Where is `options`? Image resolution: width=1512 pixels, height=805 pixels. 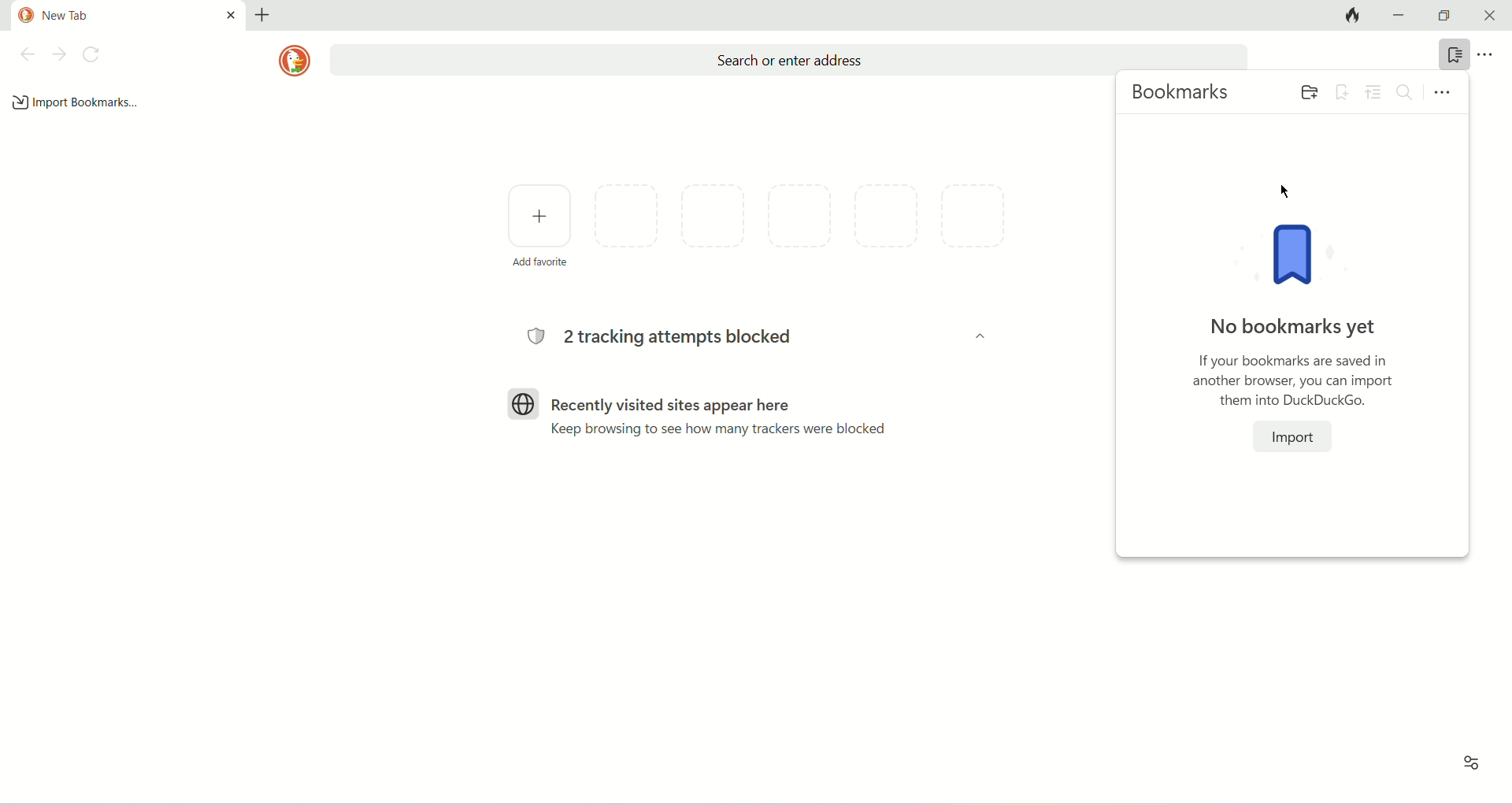
options is located at coordinates (1443, 91).